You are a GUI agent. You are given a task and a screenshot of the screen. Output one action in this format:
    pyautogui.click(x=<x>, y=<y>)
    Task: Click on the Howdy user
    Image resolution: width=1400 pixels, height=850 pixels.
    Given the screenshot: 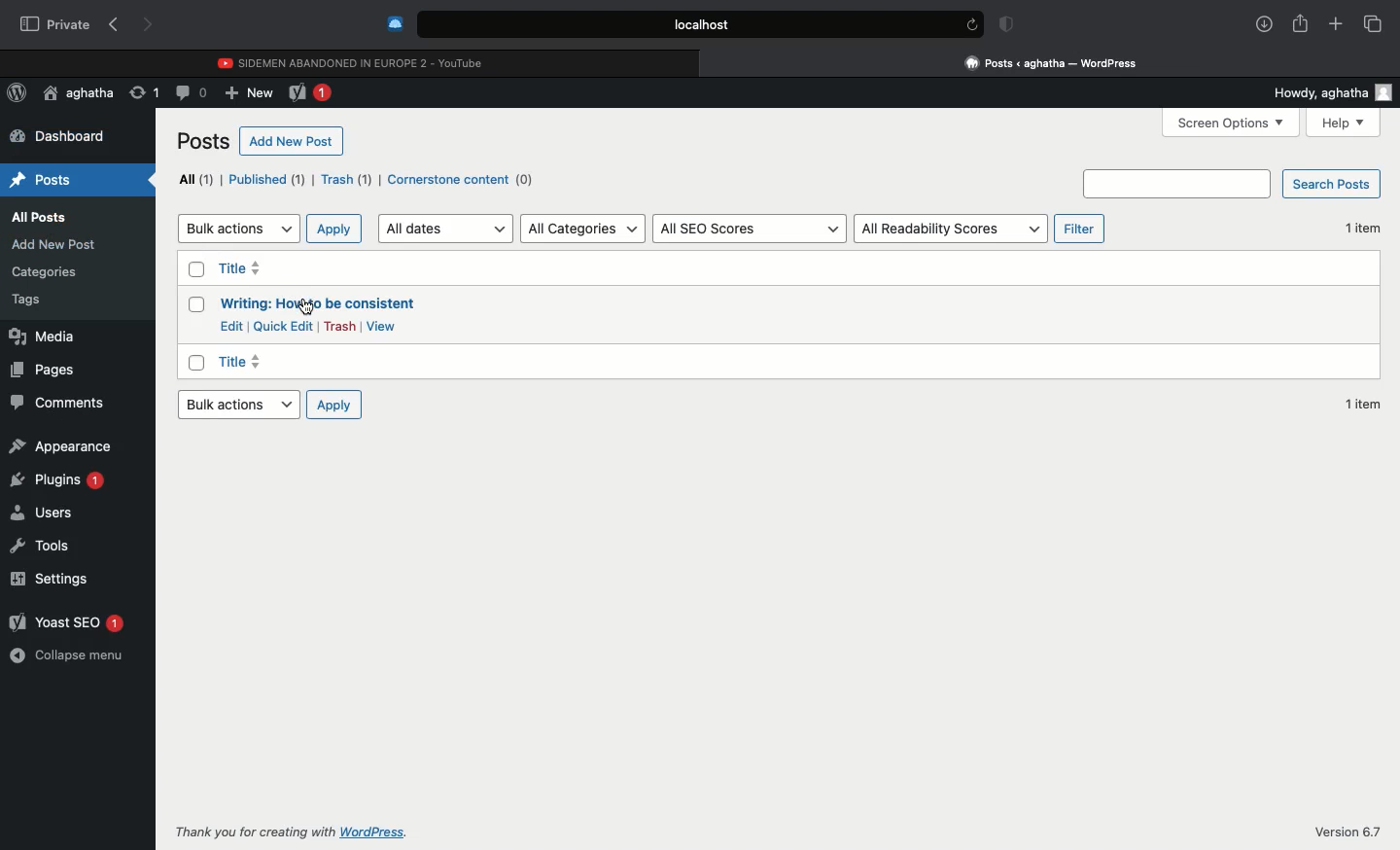 What is the action you would take?
    pyautogui.click(x=1326, y=93)
    